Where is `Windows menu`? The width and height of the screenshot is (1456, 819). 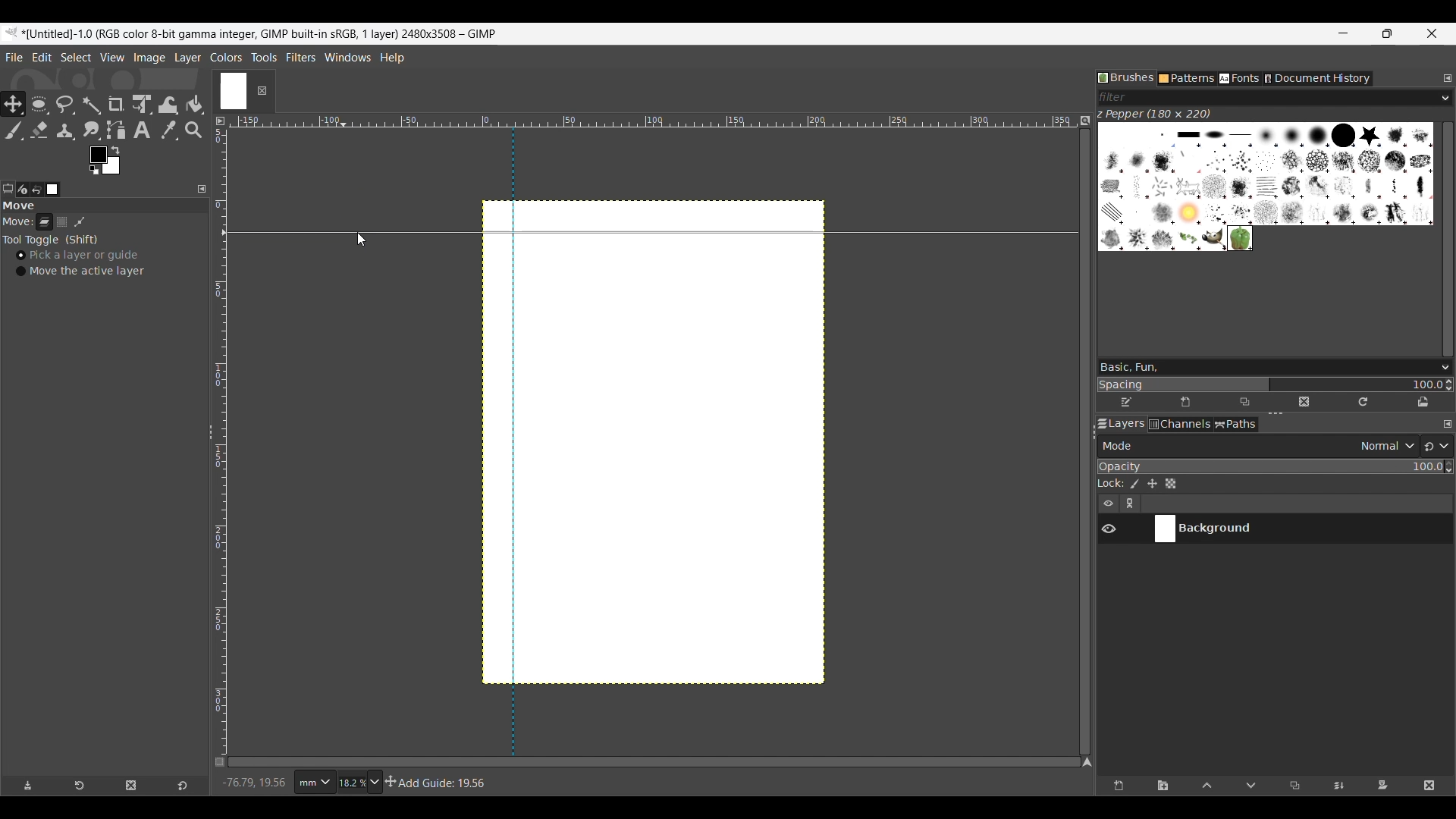
Windows menu is located at coordinates (347, 55).